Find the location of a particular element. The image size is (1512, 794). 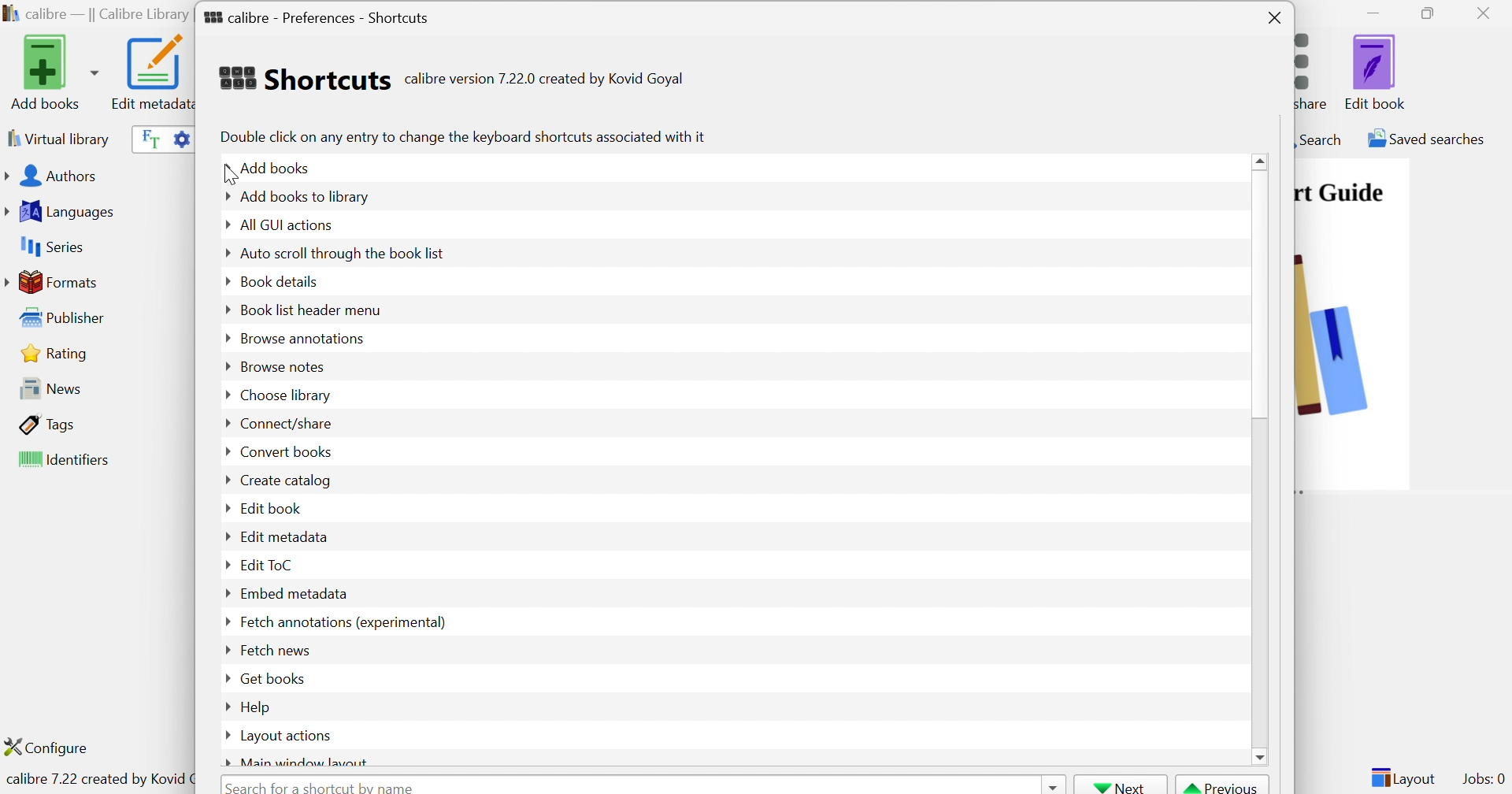

Image is located at coordinates (1333, 331).